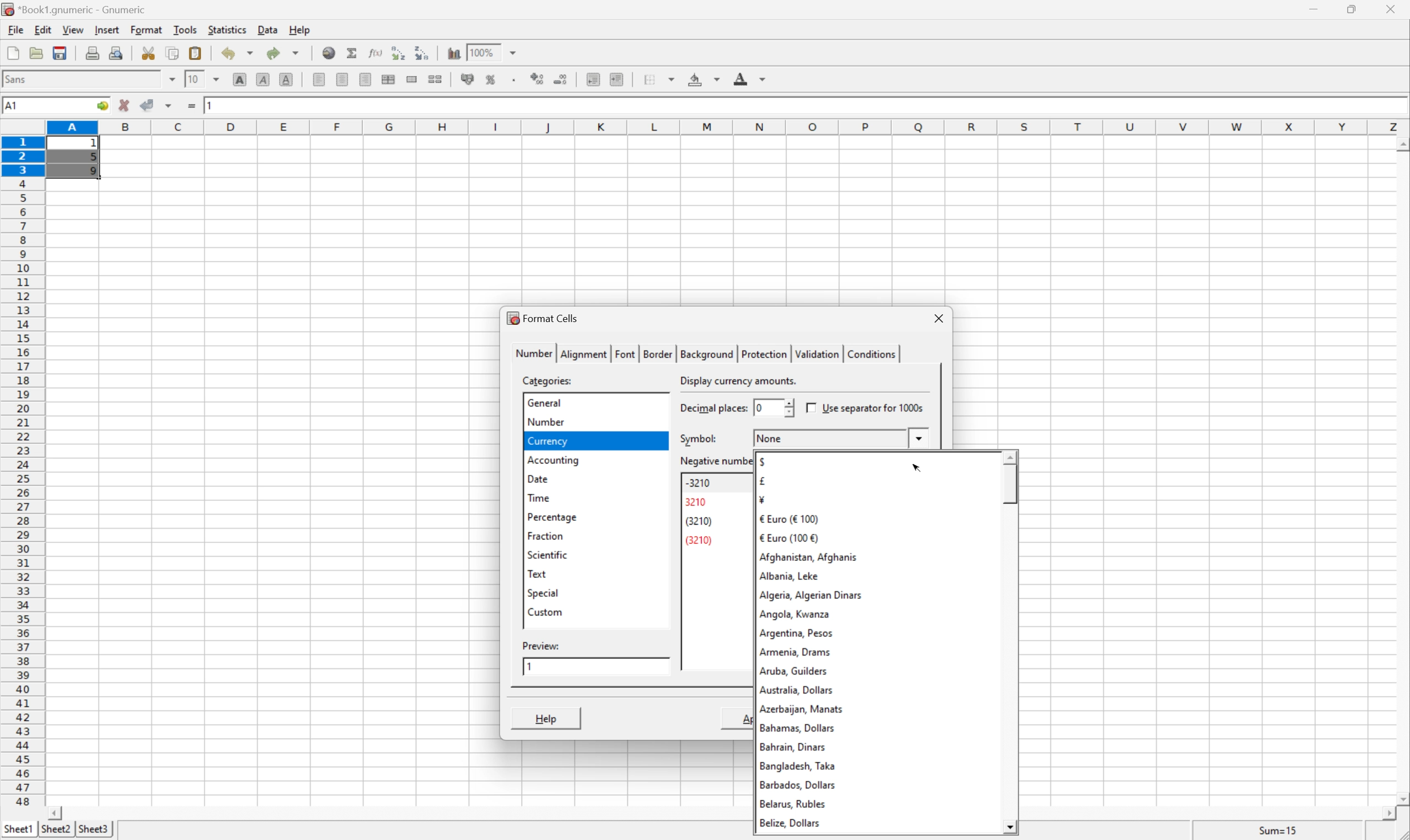 The height and width of the screenshot is (840, 1410). I want to click on negative number format, so click(714, 462).